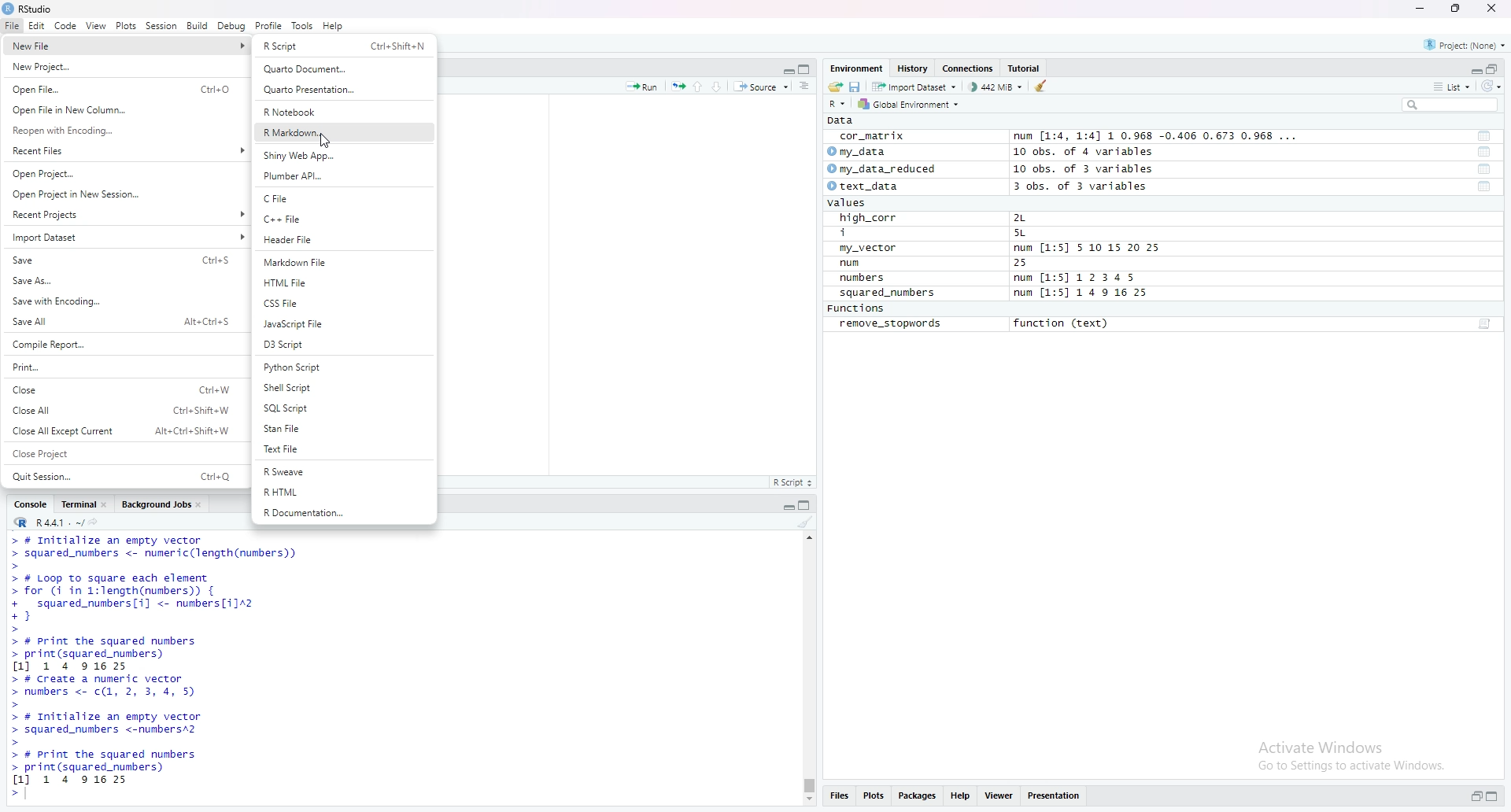  What do you see at coordinates (1044, 87) in the screenshot?
I see `Clear objects` at bounding box center [1044, 87].